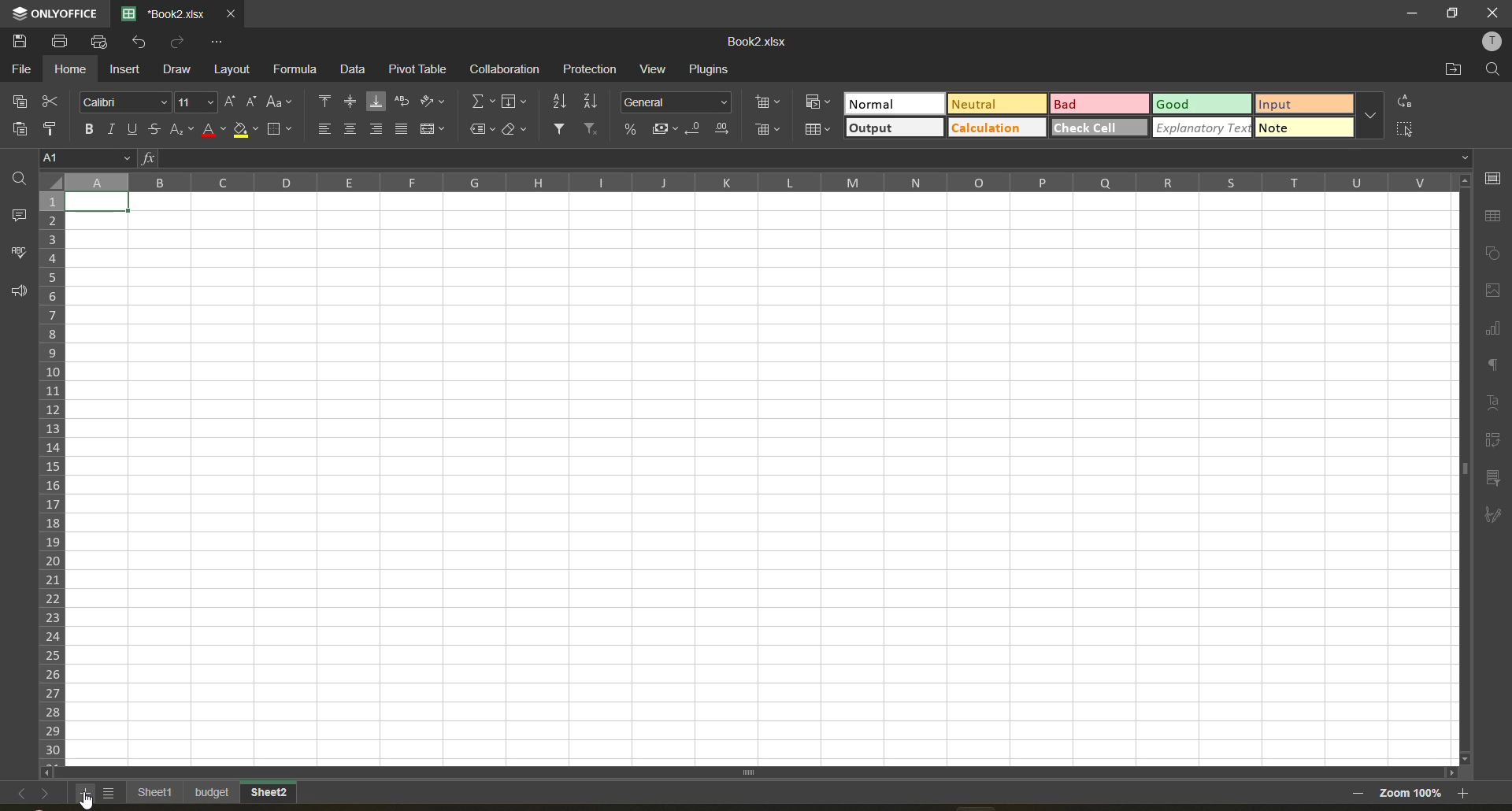 The width and height of the screenshot is (1512, 811). Describe the element at coordinates (20, 130) in the screenshot. I see `paste` at that location.